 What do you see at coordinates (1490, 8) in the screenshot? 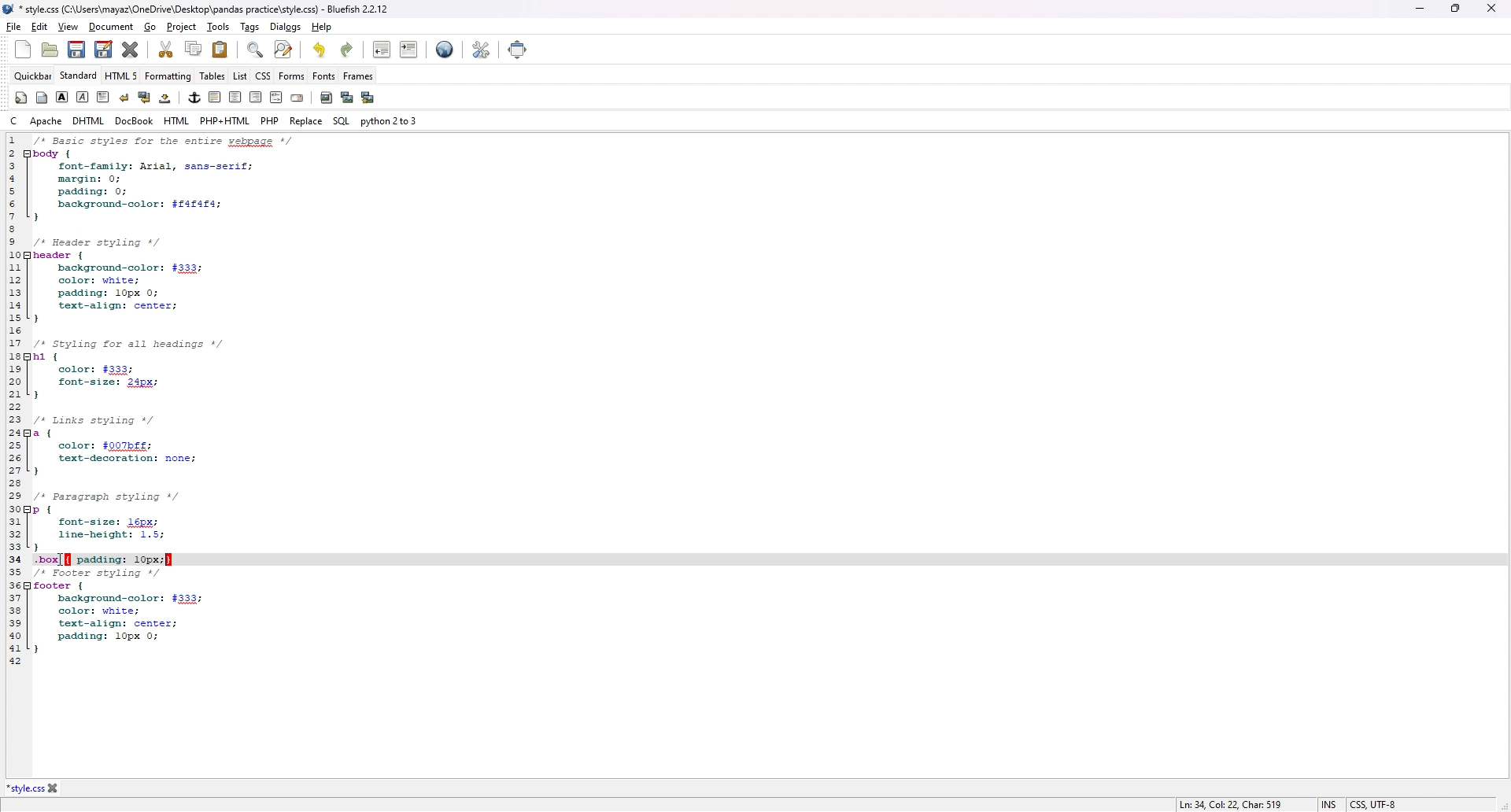
I see `close` at bounding box center [1490, 8].